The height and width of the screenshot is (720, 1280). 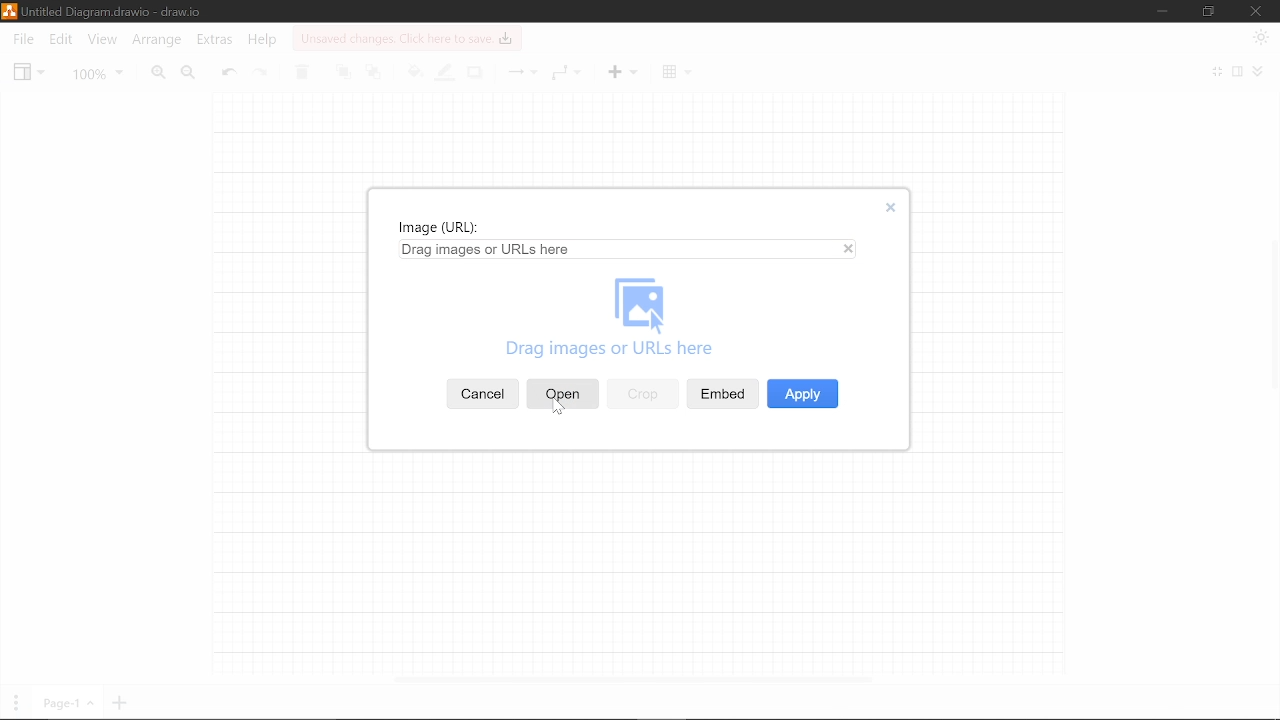 What do you see at coordinates (1262, 37) in the screenshot?
I see `Appearence` at bounding box center [1262, 37].